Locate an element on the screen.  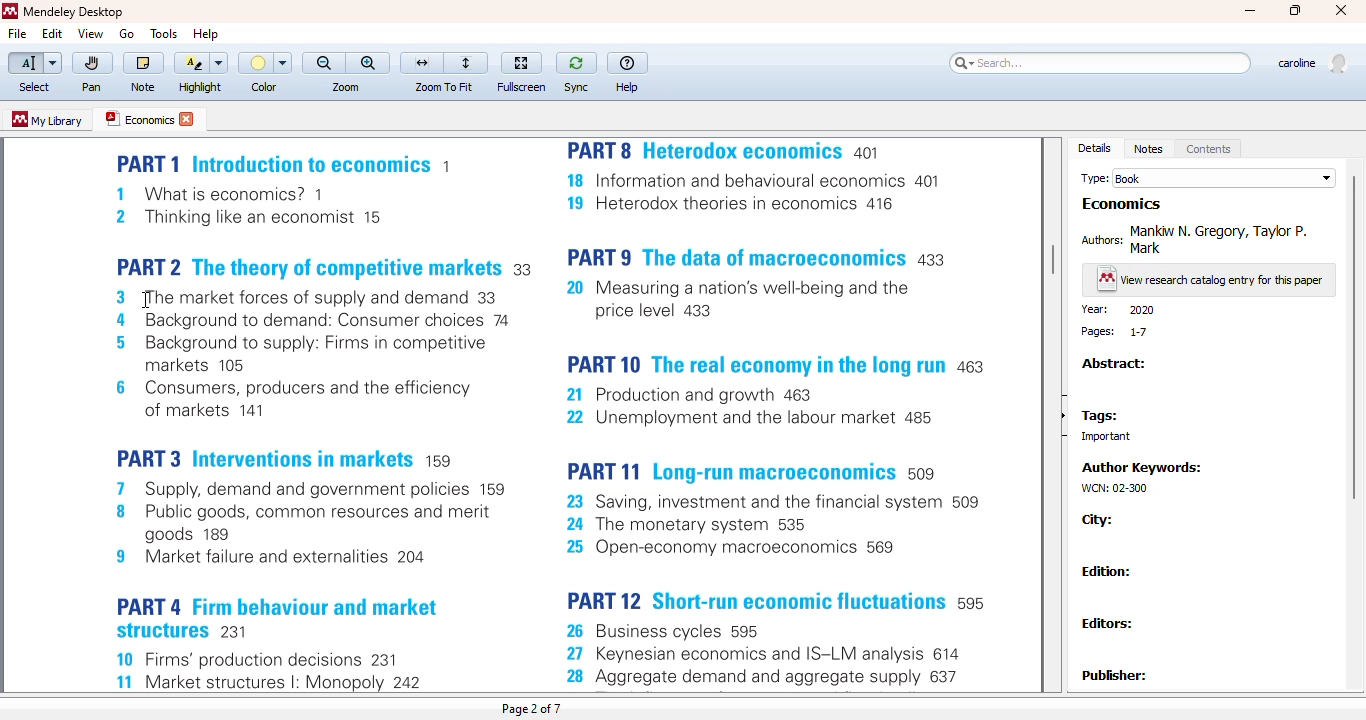
Fullscreen is located at coordinates (521, 62).